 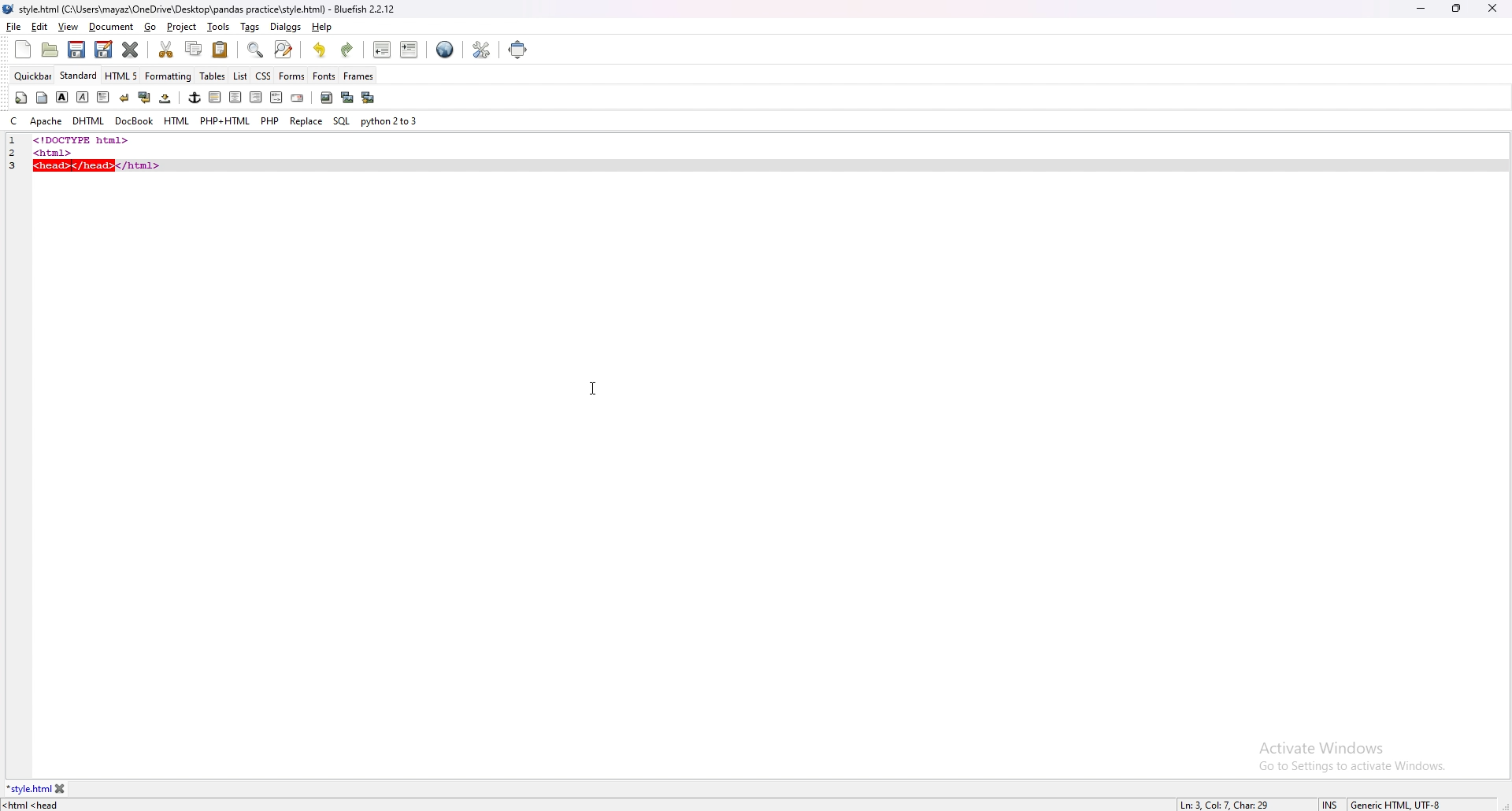 I want to click on line number, so click(x=17, y=165).